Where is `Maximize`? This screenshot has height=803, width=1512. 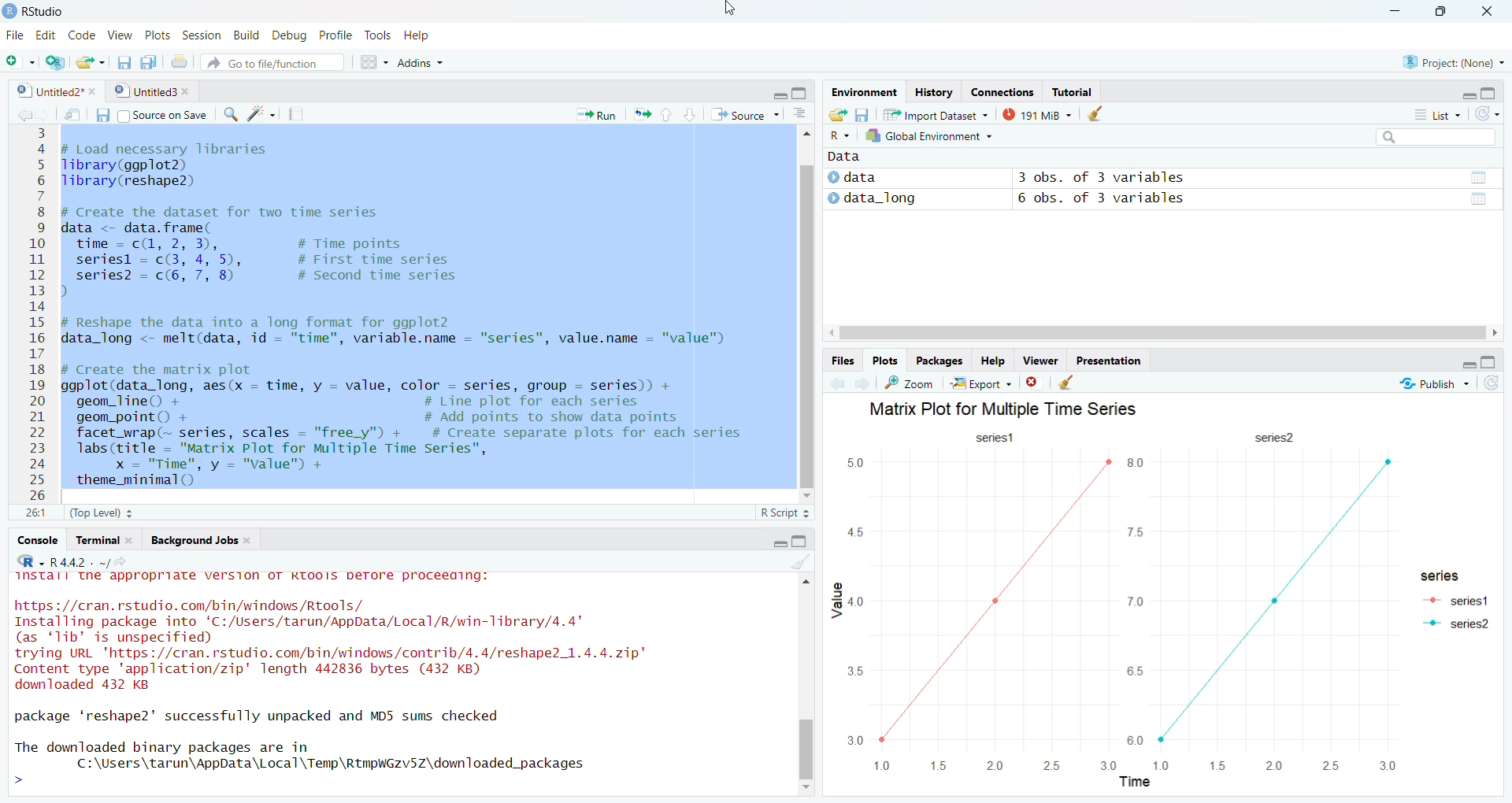
Maximize is located at coordinates (802, 542).